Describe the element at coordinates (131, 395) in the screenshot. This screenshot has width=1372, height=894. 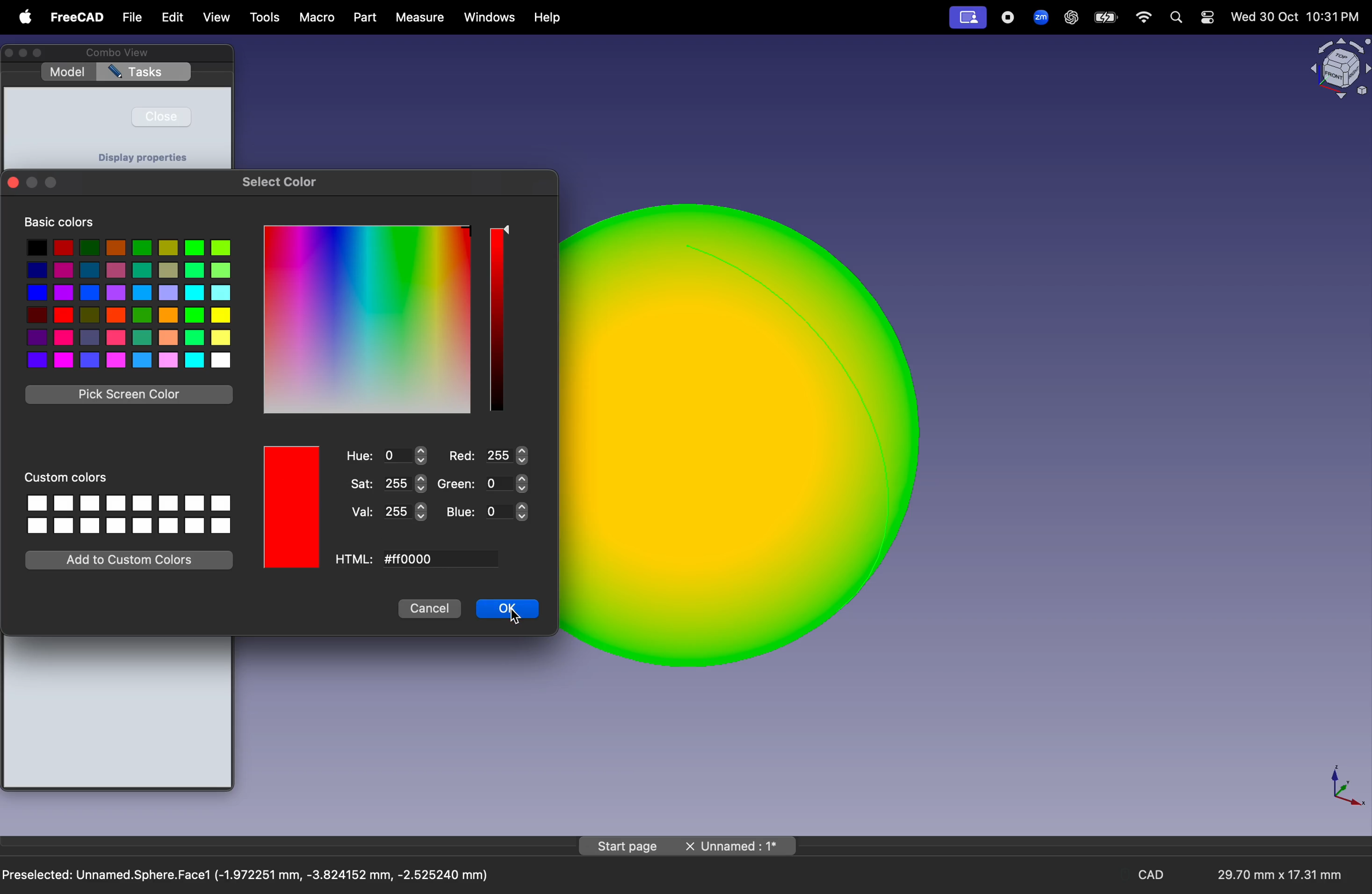
I see `pick screen color` at that location.